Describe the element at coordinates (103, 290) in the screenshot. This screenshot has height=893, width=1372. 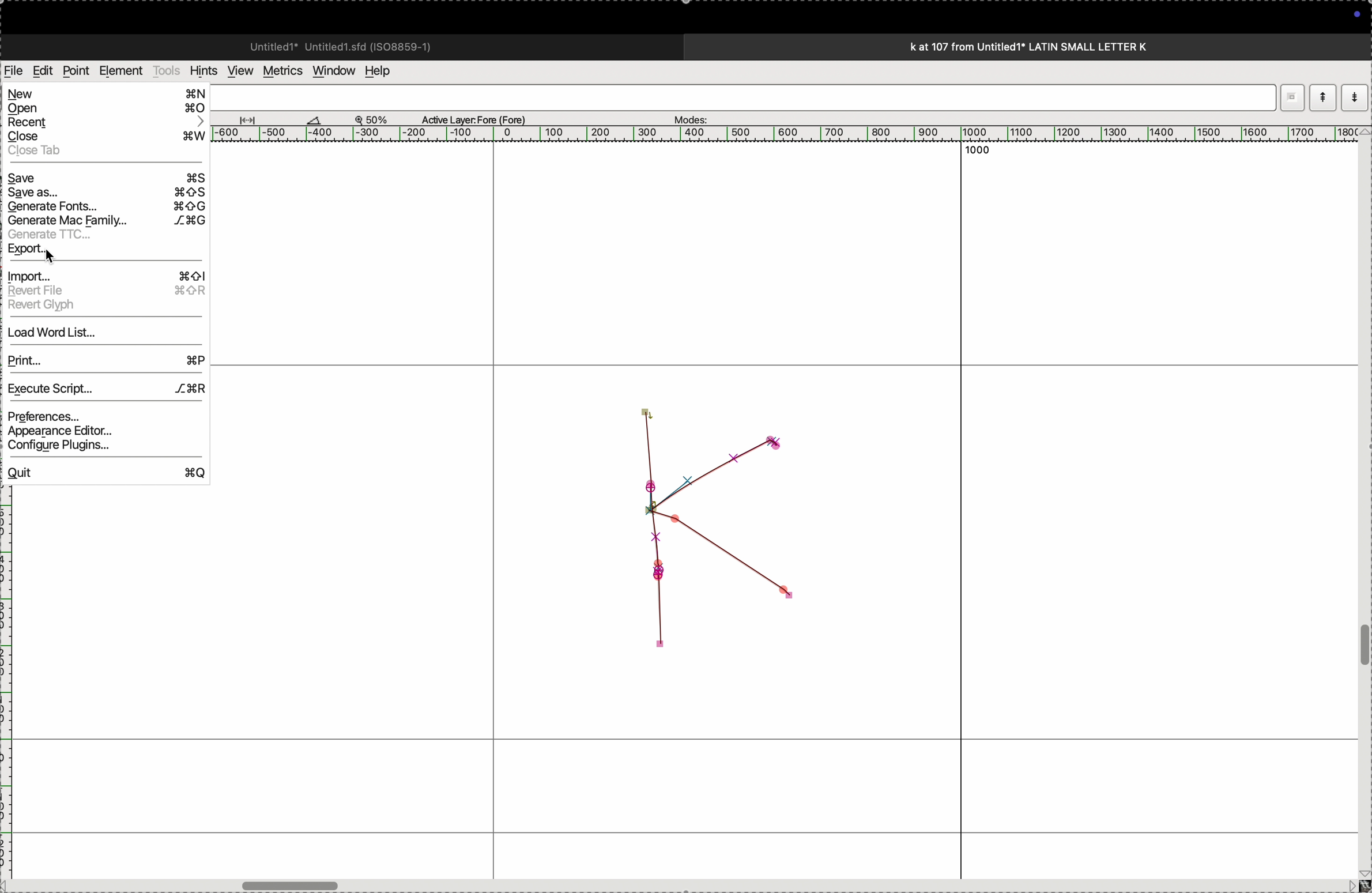
I see `revert file` at that location.